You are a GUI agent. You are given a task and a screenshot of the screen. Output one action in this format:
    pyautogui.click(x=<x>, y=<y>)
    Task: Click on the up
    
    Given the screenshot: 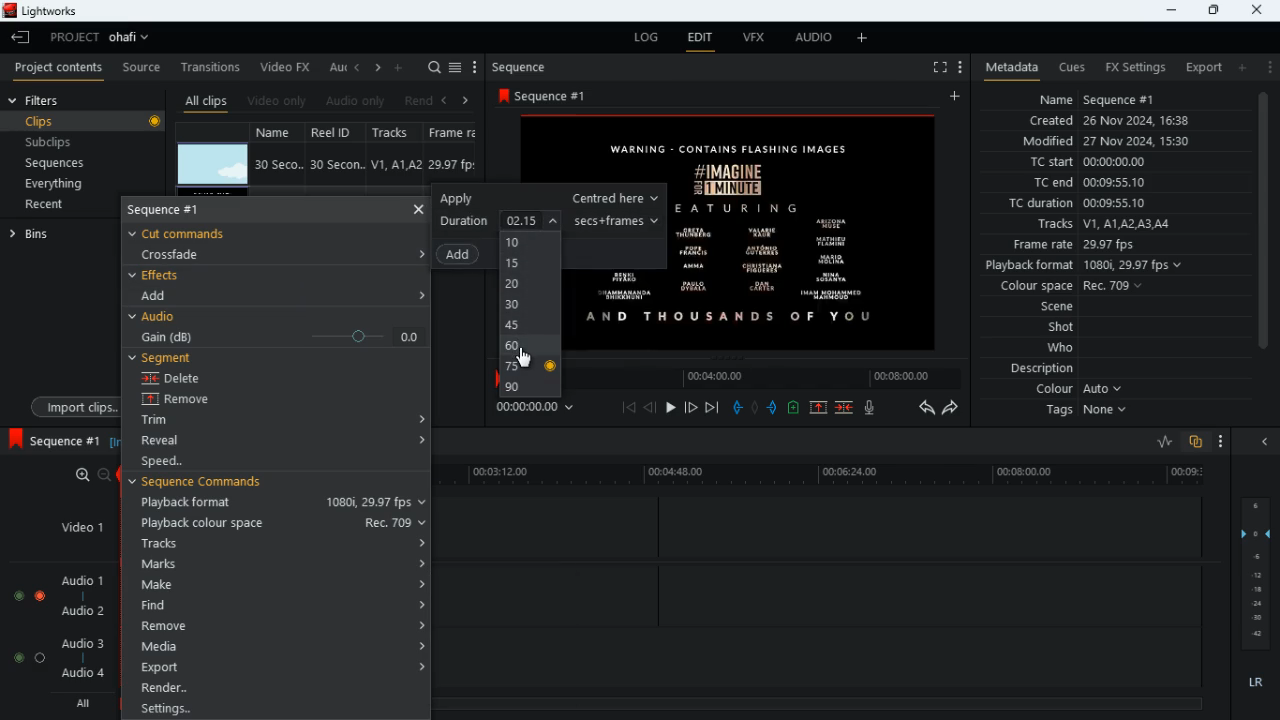 What is the action you would take?
    pyautogui.click(x=818, y=409)
    